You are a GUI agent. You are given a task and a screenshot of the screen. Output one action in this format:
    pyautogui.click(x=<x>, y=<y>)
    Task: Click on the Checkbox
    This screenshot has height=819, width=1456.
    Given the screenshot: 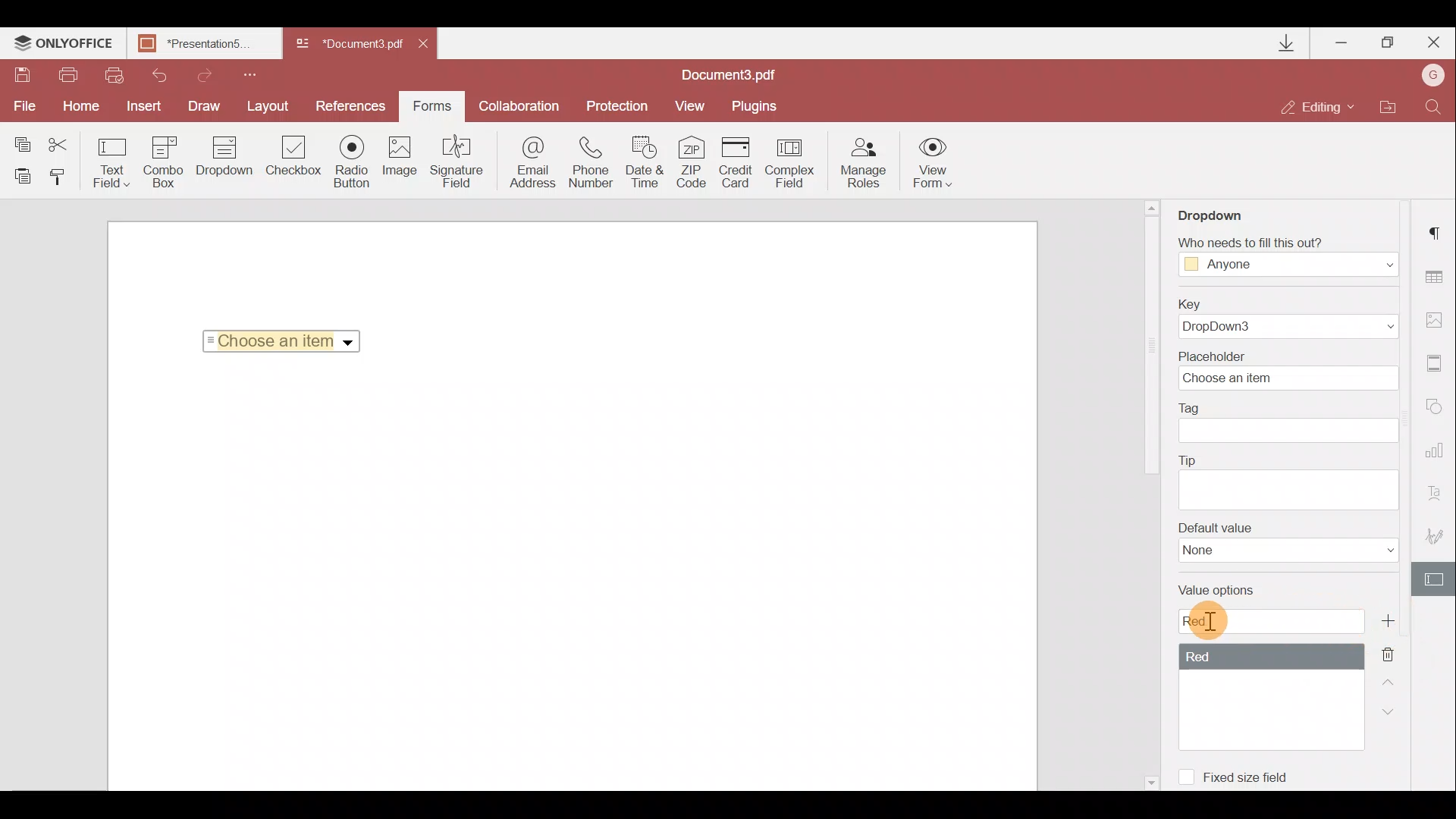 What is the action you would take?
    pyautogui.click(x=294, y=157)
    